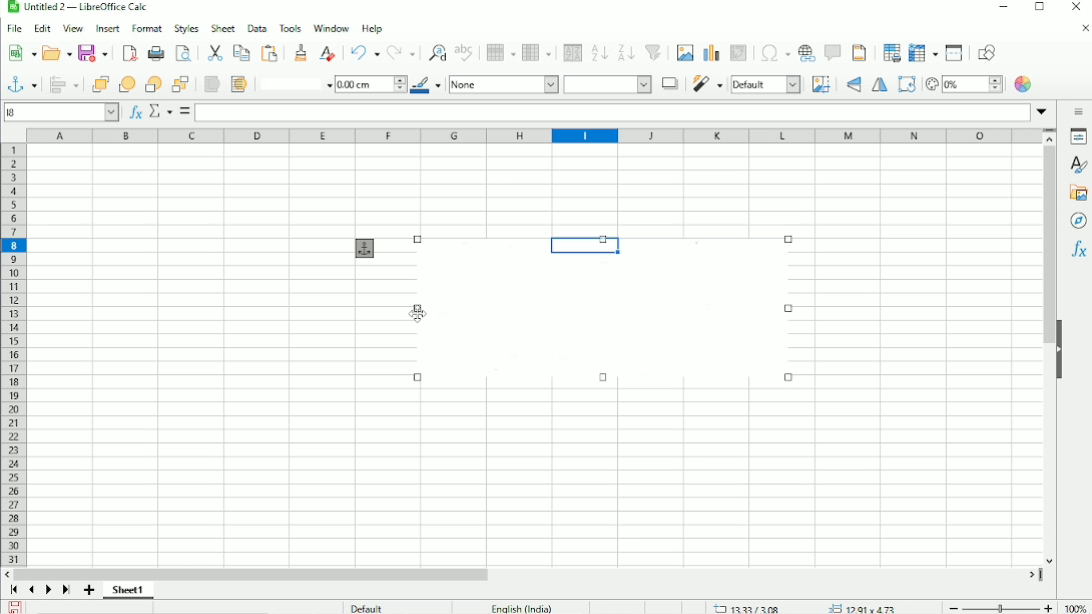 Image resolution: width=1092 pixels, height=614 pixels. I want to click on Copy, so click(241, 52).